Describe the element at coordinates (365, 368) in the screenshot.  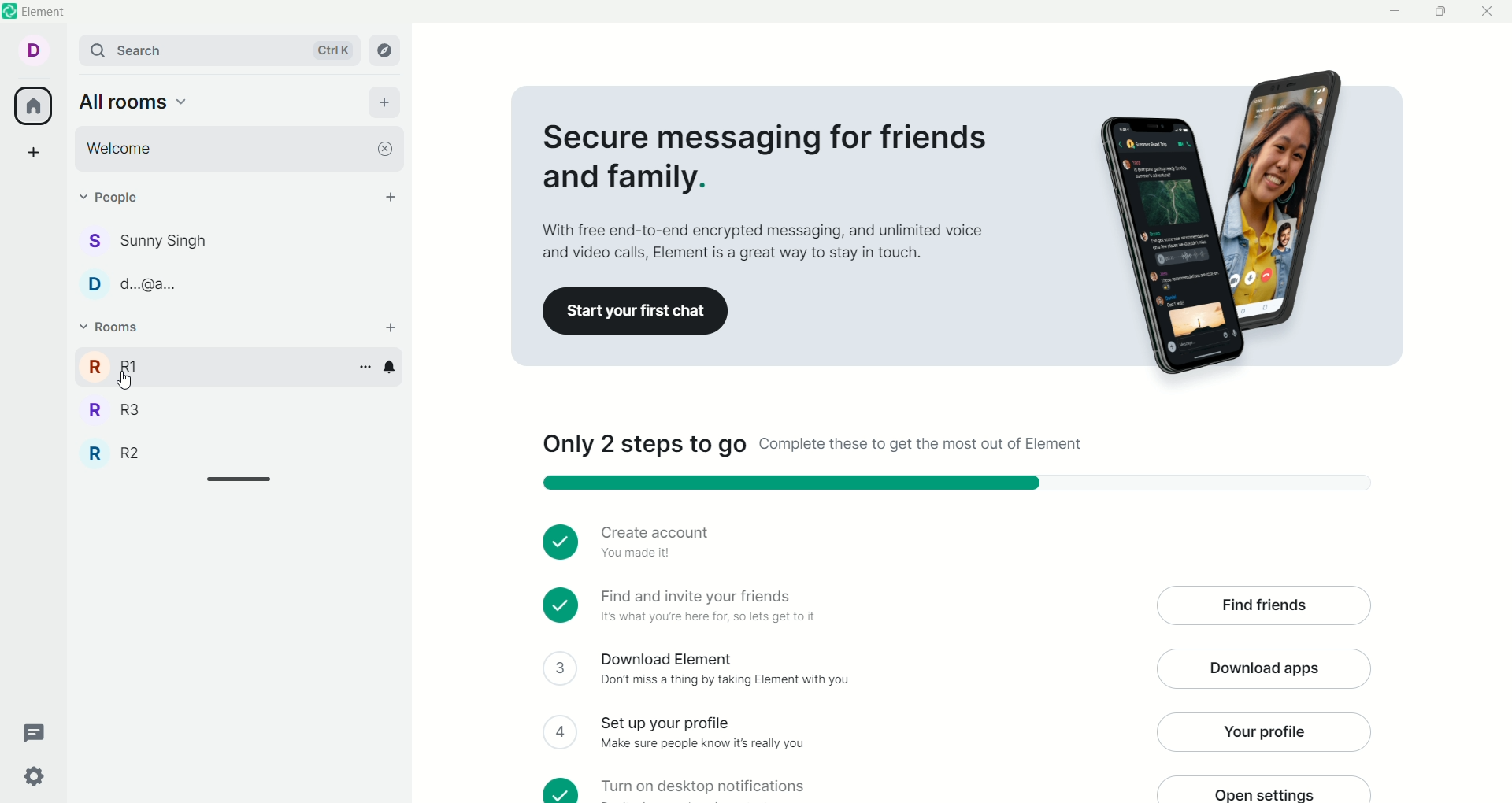
I see `options` at that location.